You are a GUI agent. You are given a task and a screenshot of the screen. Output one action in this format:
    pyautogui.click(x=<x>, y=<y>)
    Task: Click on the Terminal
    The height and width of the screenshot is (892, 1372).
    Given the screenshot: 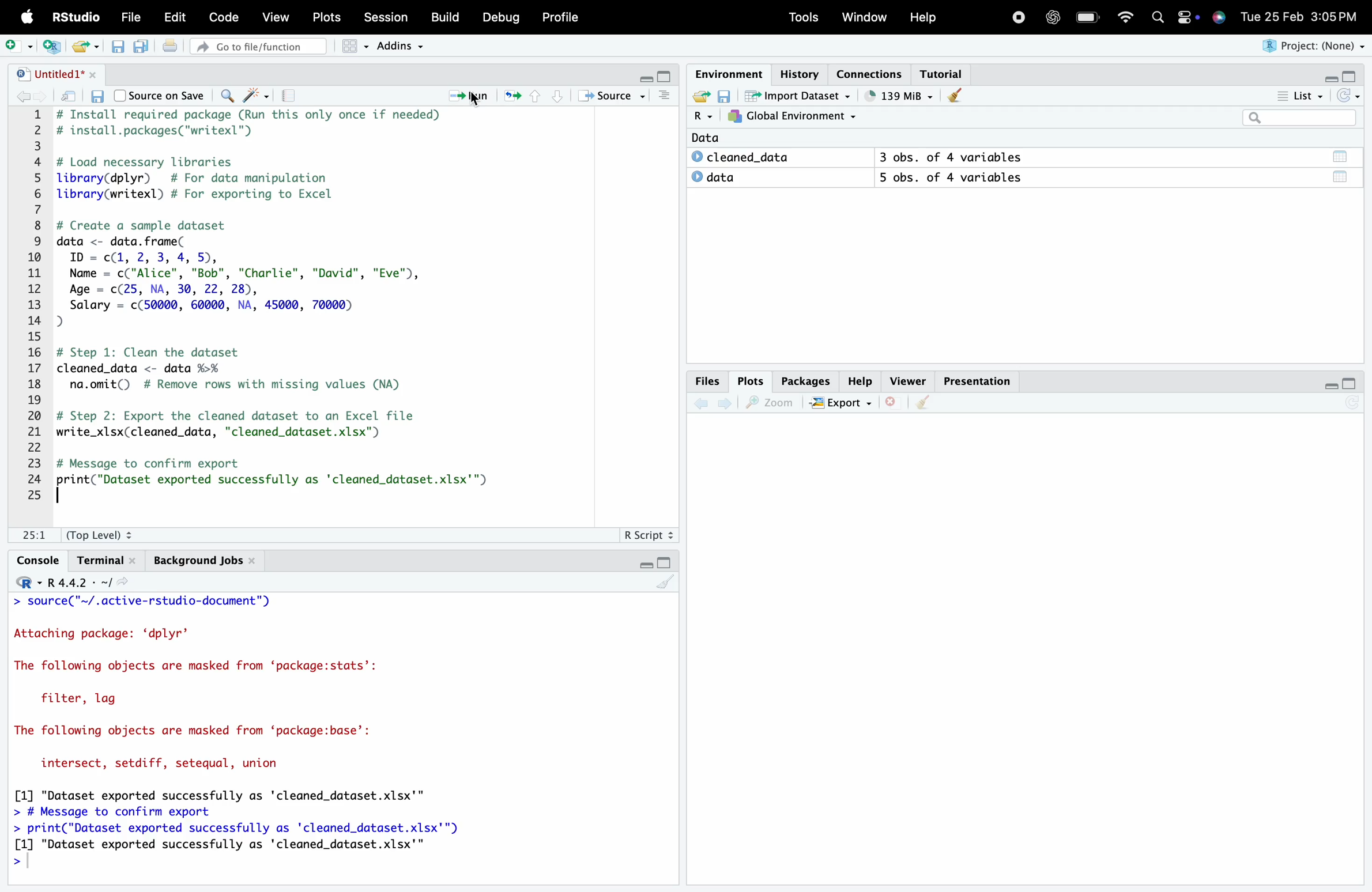 What is the action you would take?
    pyautogui.click(x=107, y=559)
    